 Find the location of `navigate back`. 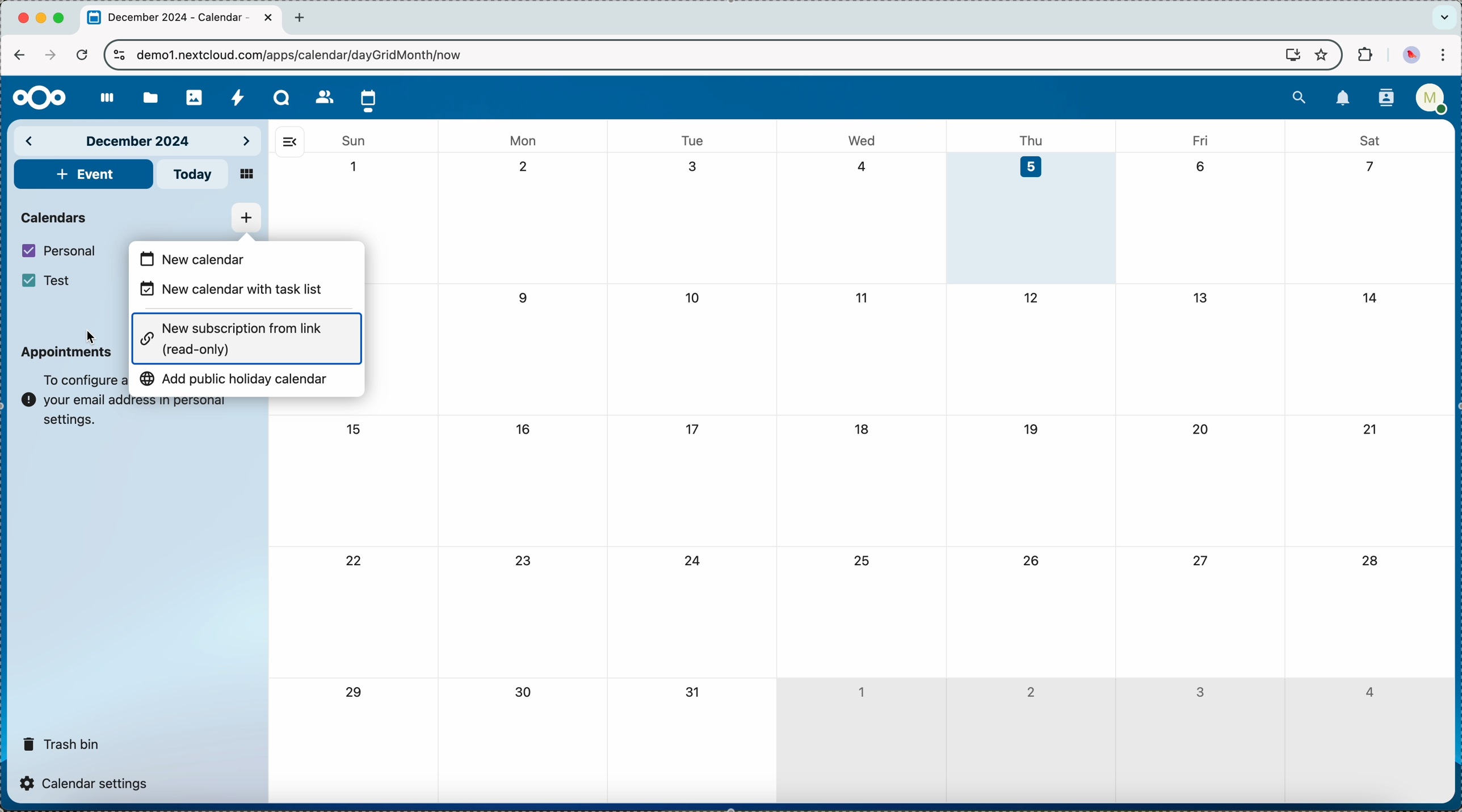

navigate back is located at coordinates (19, 54).